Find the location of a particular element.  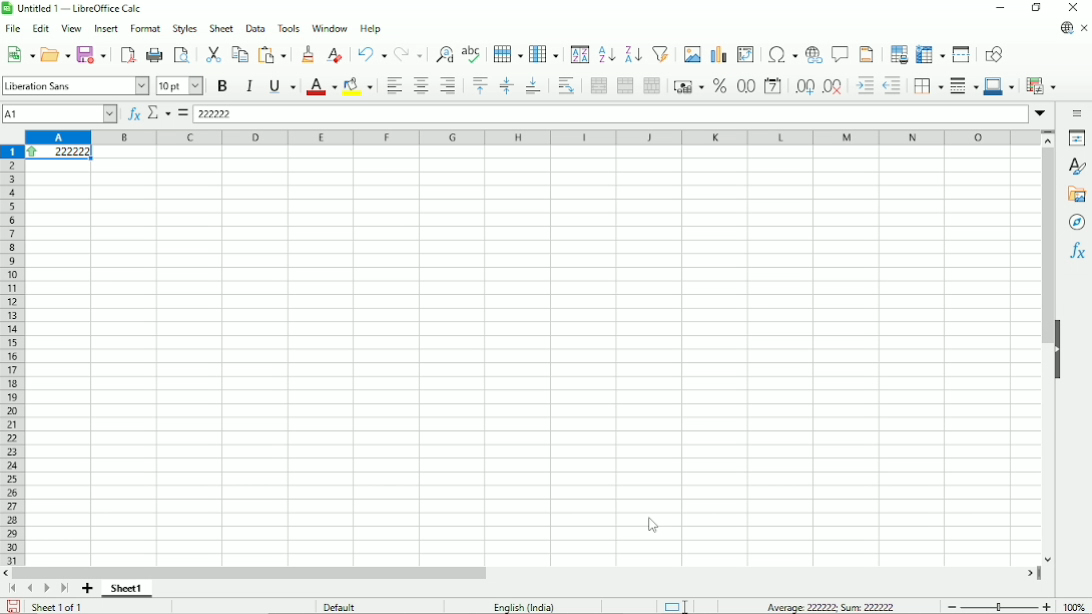

Standard selection is located at coordinates (674, 605).